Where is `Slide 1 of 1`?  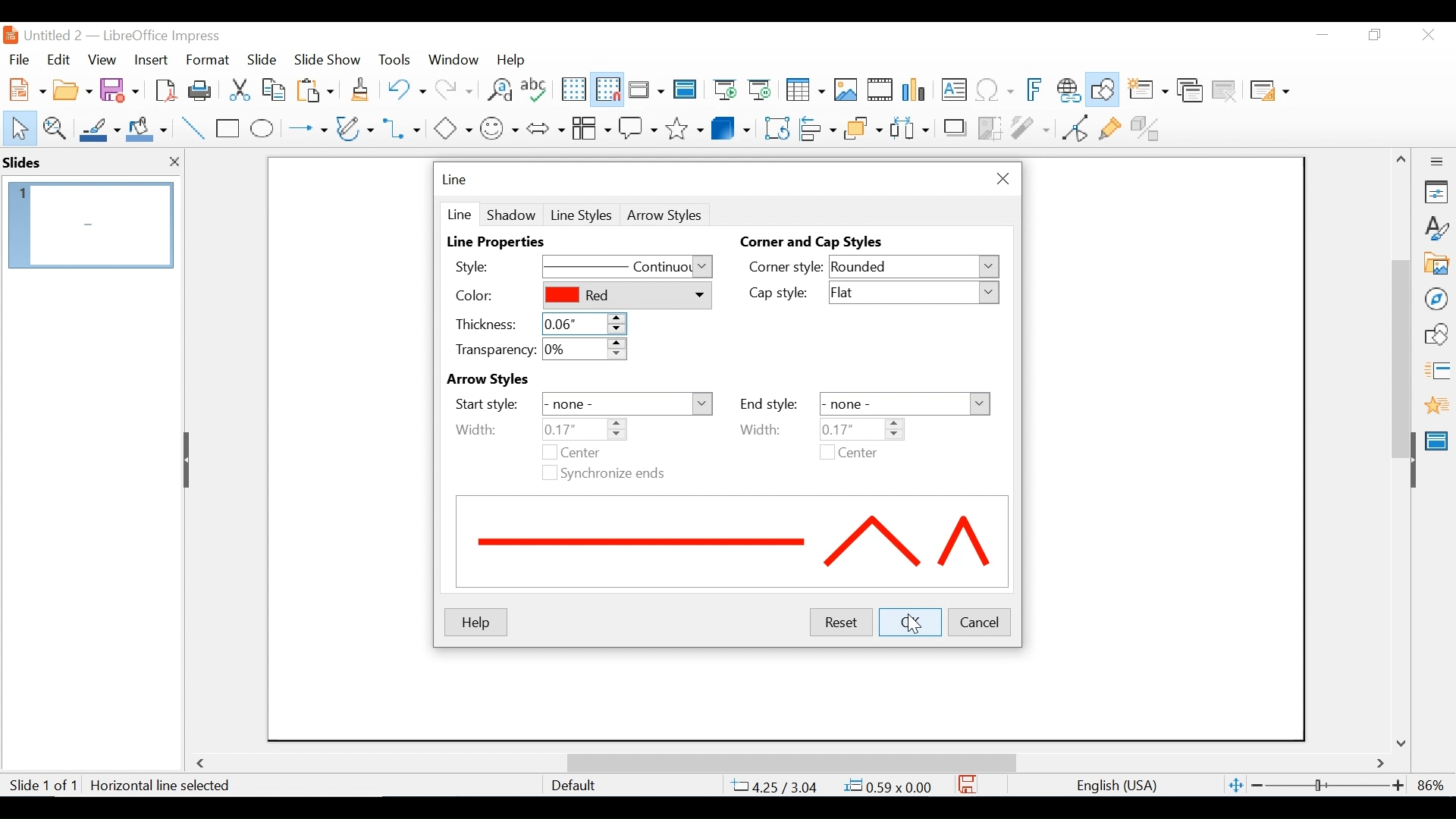 Slide 1 of 1 is located at coordinates (42, 786).